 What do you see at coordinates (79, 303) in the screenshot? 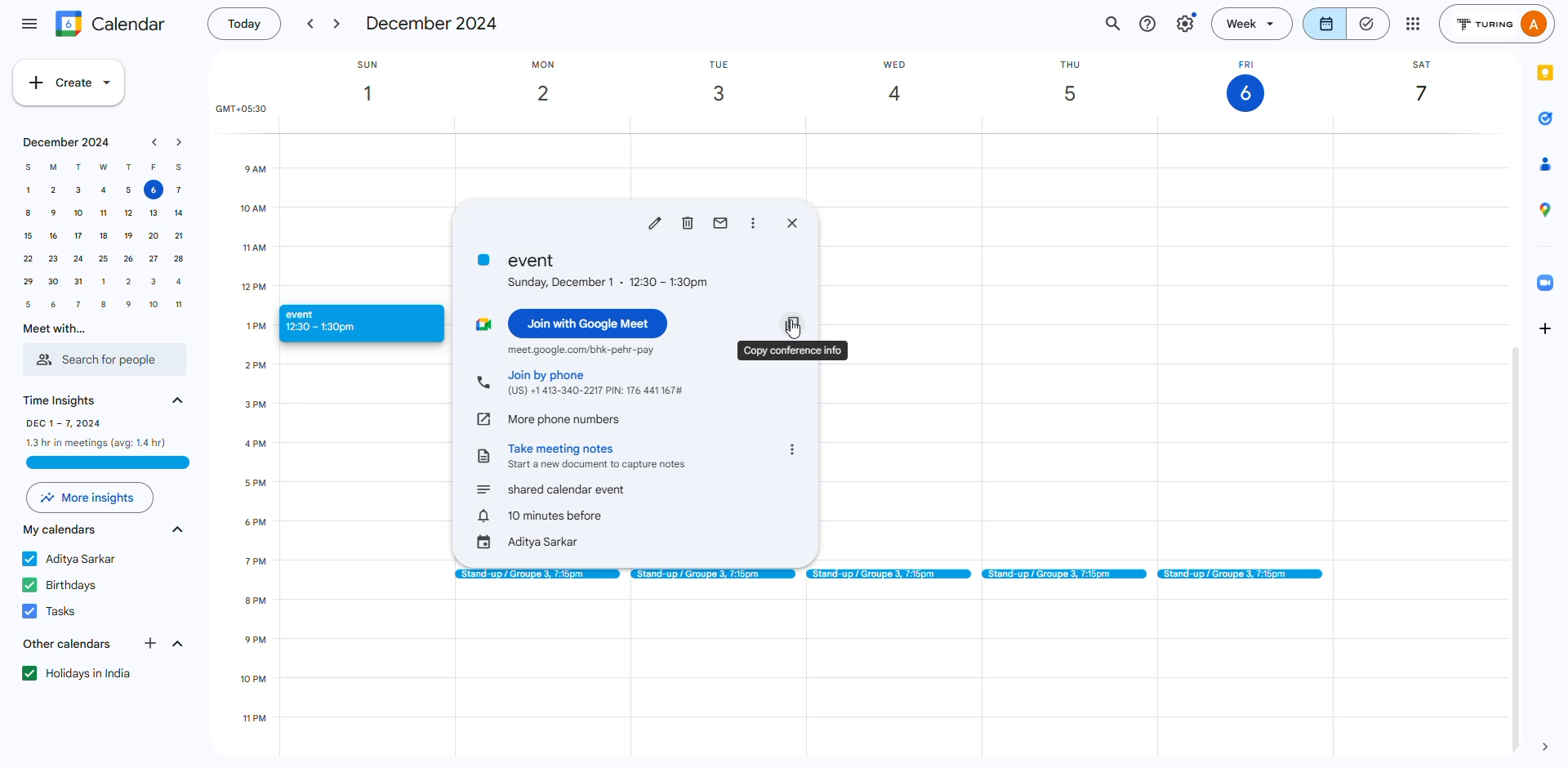
I see `7` at bounding box center [79, 303].